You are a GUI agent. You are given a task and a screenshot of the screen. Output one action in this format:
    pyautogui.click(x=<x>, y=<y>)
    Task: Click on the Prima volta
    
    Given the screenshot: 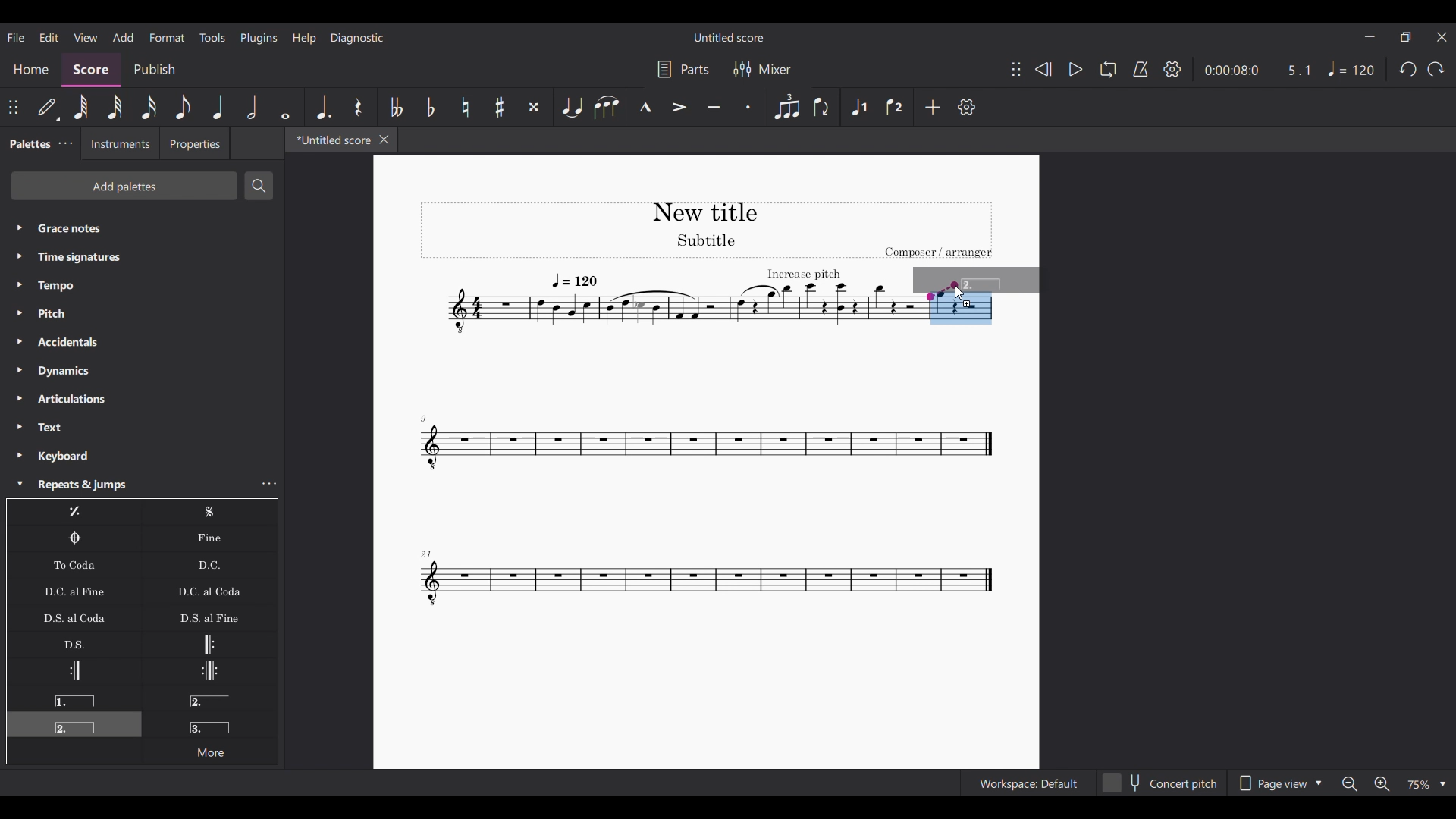 What is the action you would take?
    pyautogui.click(x=74, y=698)
    